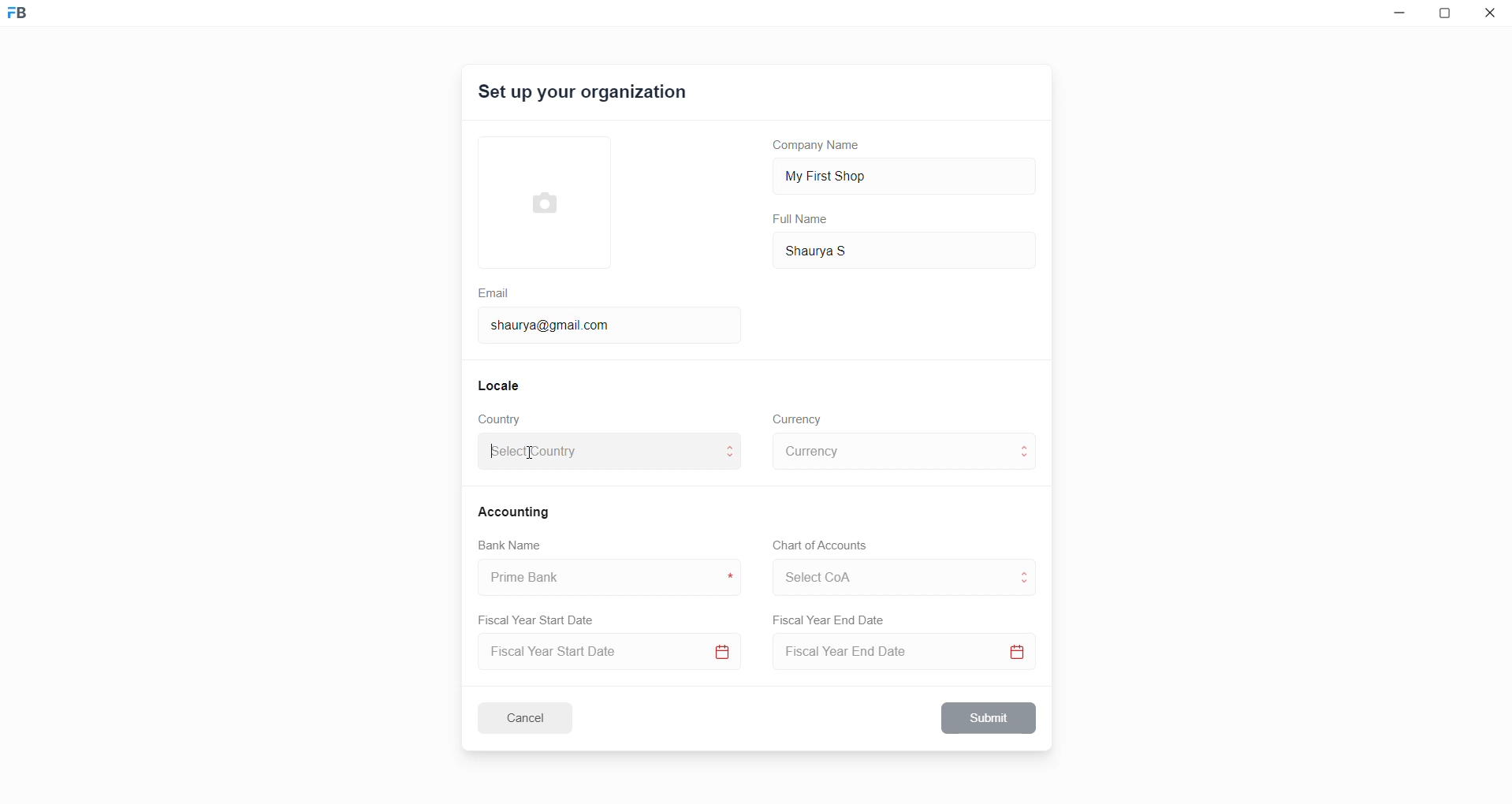 The height and width of the screenshot is (804, 1512). What do you see at coordinates (822, 147) in the screenshot?
I see `Company Name` at bounding box center [822, 147].